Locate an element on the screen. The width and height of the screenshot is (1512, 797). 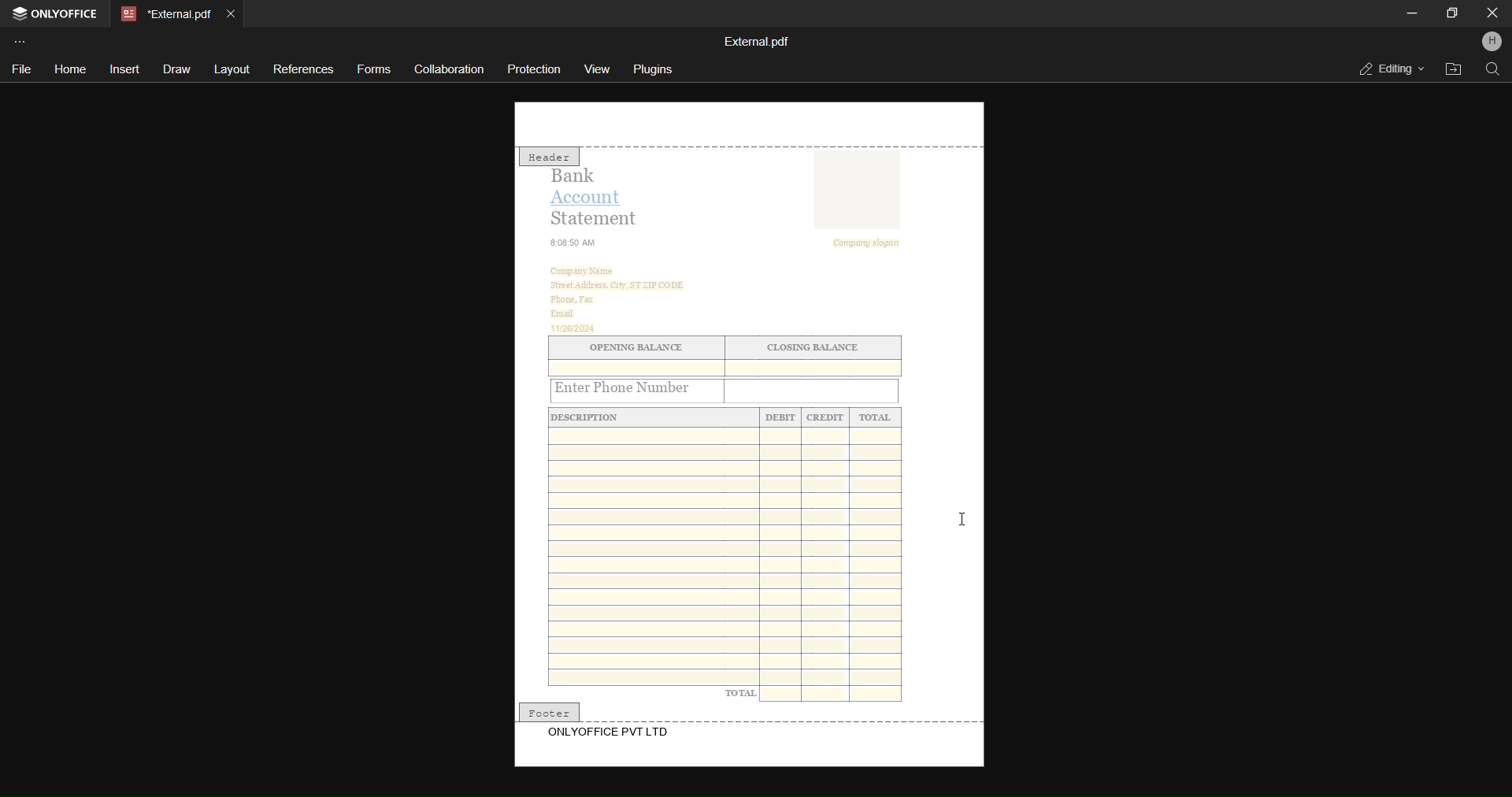
plugins is located at coordinates (654, 69).